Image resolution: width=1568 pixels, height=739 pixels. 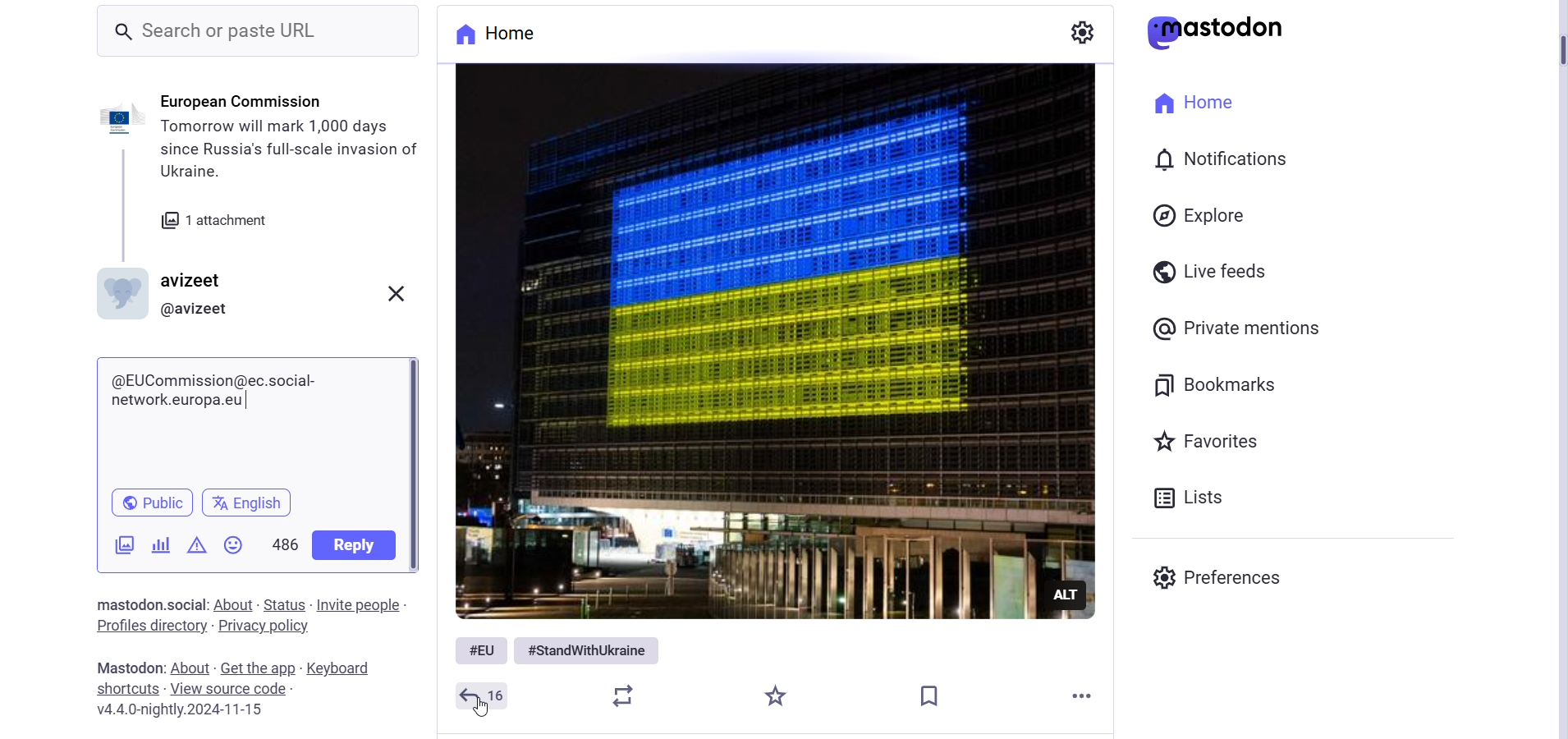 What do you see at coordinates (629, 695) in the screenshot?
I see `Boost` at bounding box center [629, 695].